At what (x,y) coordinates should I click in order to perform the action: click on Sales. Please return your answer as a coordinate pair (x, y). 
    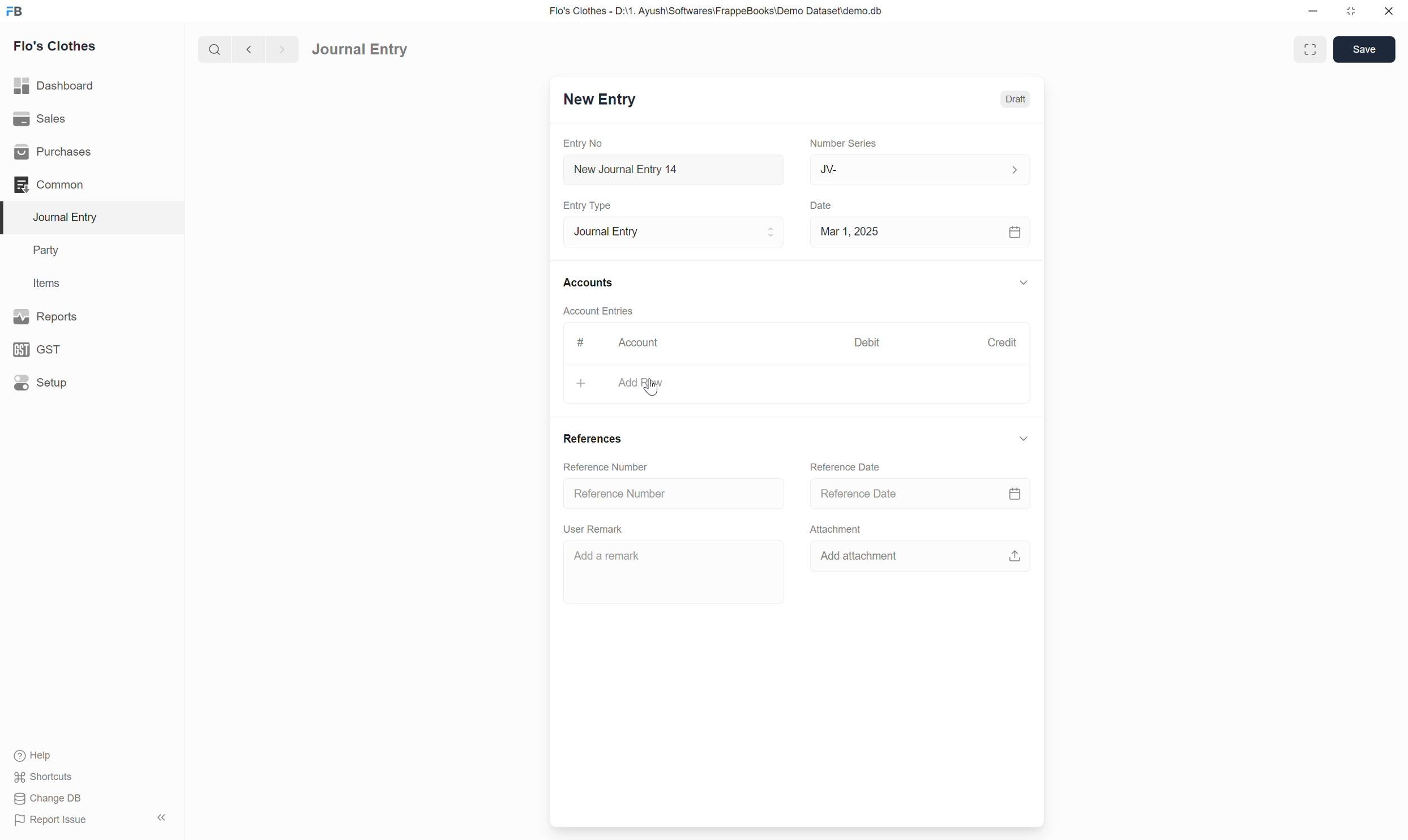
    Looking at the image, I should click on (39, 117).